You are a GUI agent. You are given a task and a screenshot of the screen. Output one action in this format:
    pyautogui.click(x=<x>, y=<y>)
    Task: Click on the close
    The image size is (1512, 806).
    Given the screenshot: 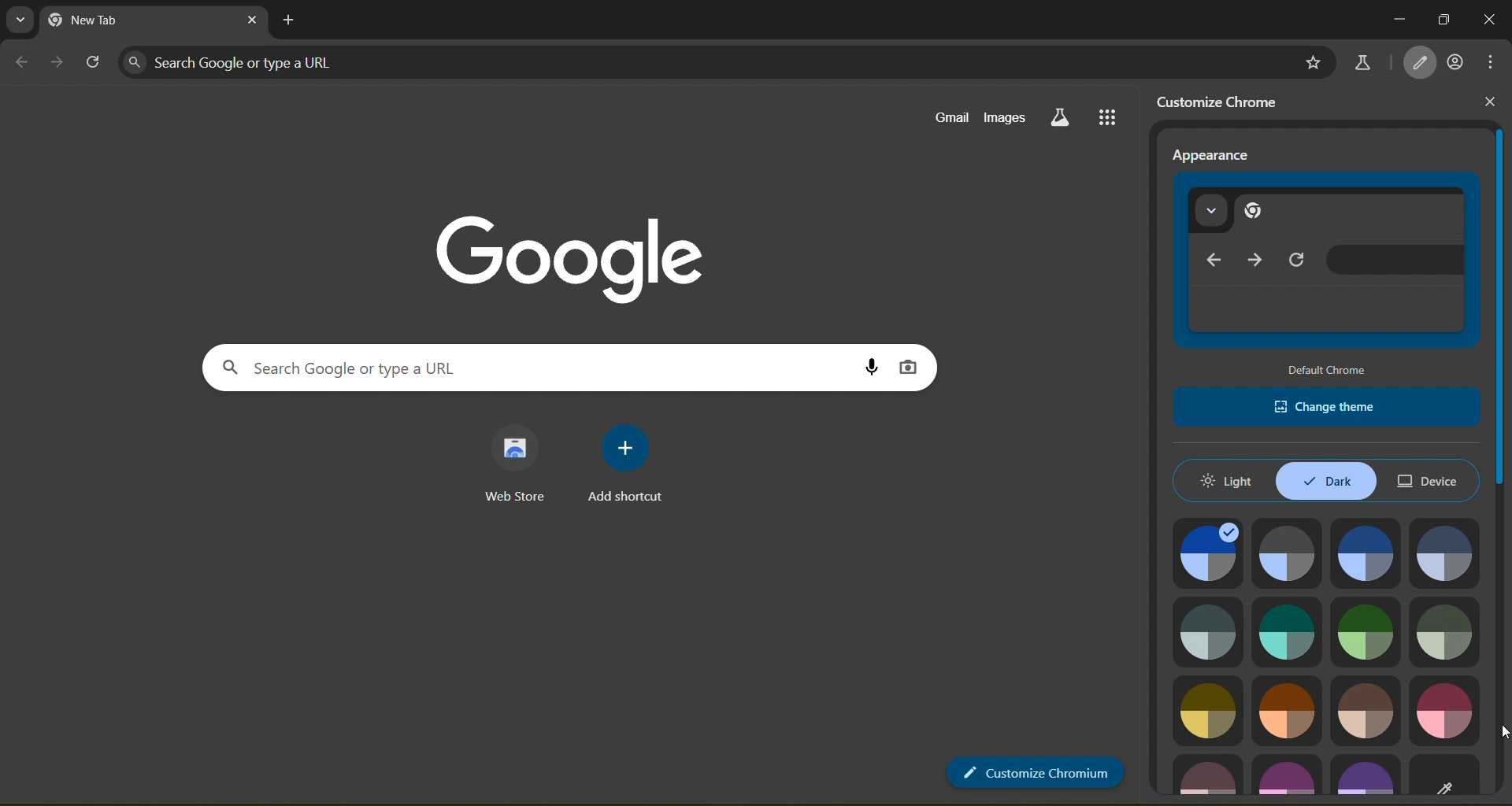 What is the action you would take?
    pyautogui.click(x=1491, y=20)
    